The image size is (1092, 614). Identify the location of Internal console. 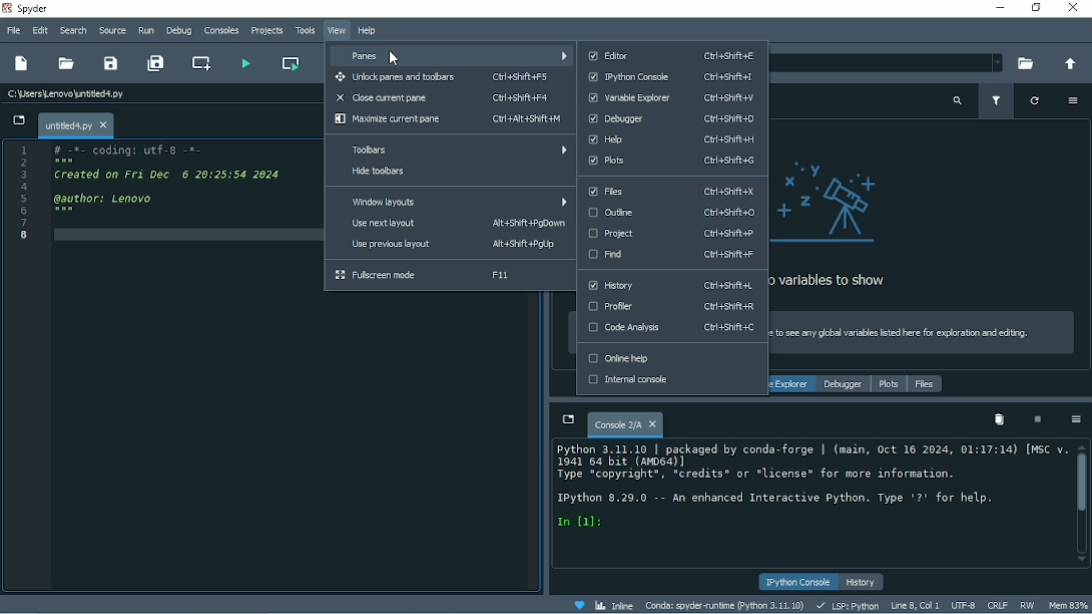
(671, 382).